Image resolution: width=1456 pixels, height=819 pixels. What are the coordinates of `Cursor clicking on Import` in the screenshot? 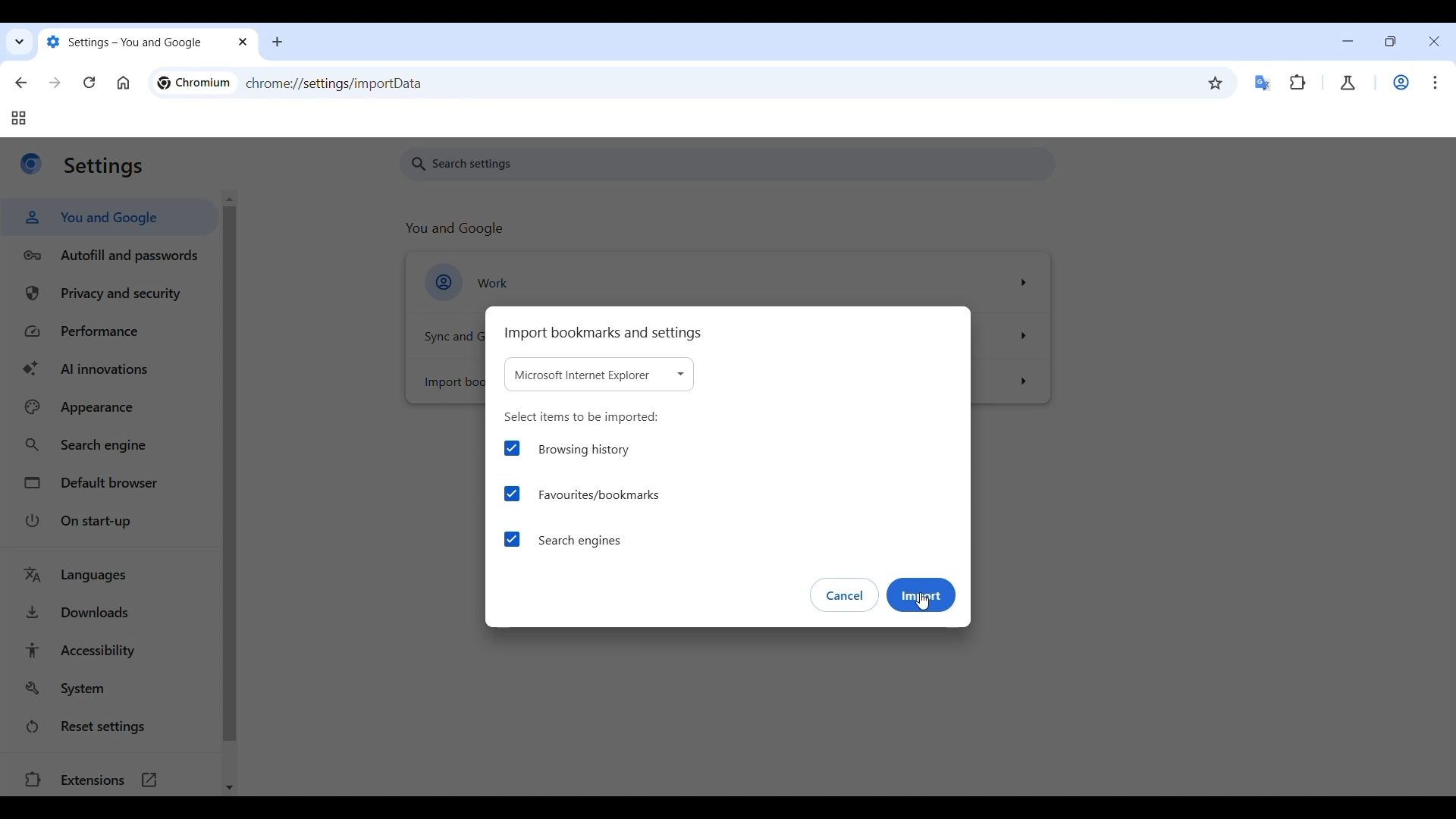 It's located at (923, 602).